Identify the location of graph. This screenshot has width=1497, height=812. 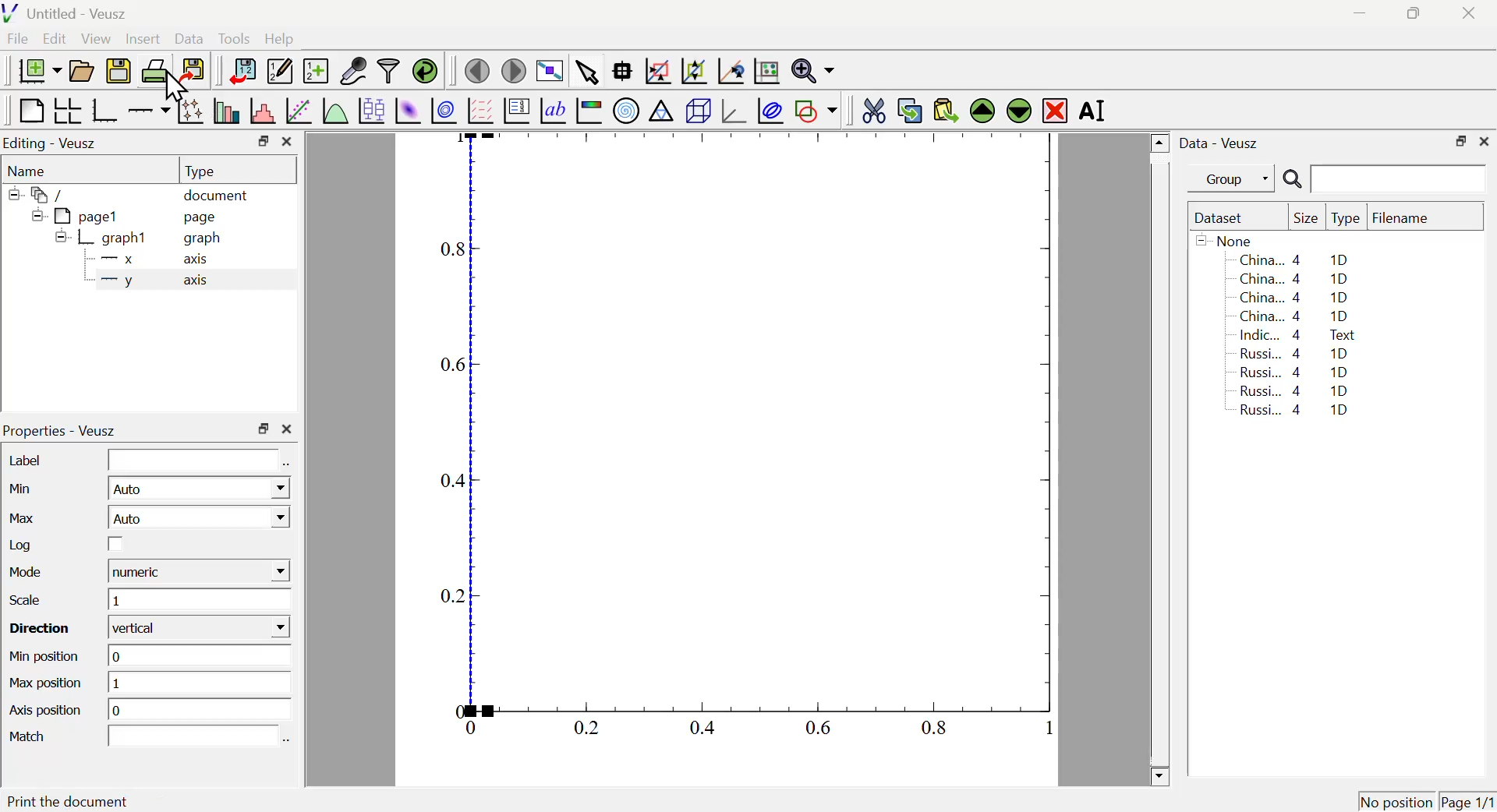
(204, 239).